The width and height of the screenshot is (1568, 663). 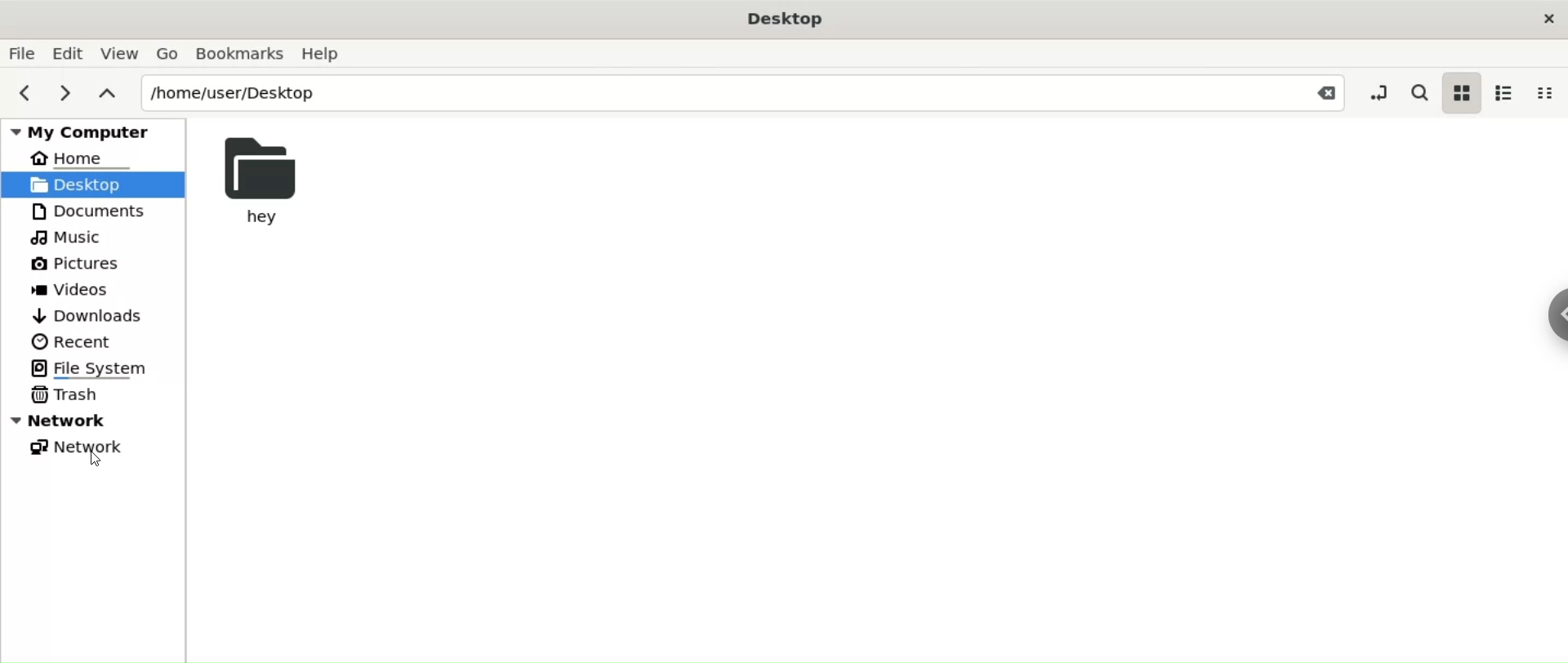 What do you see at coordinates (75, 342) in the screenshot?
I see `Recent` at bounding box center [75, 342].